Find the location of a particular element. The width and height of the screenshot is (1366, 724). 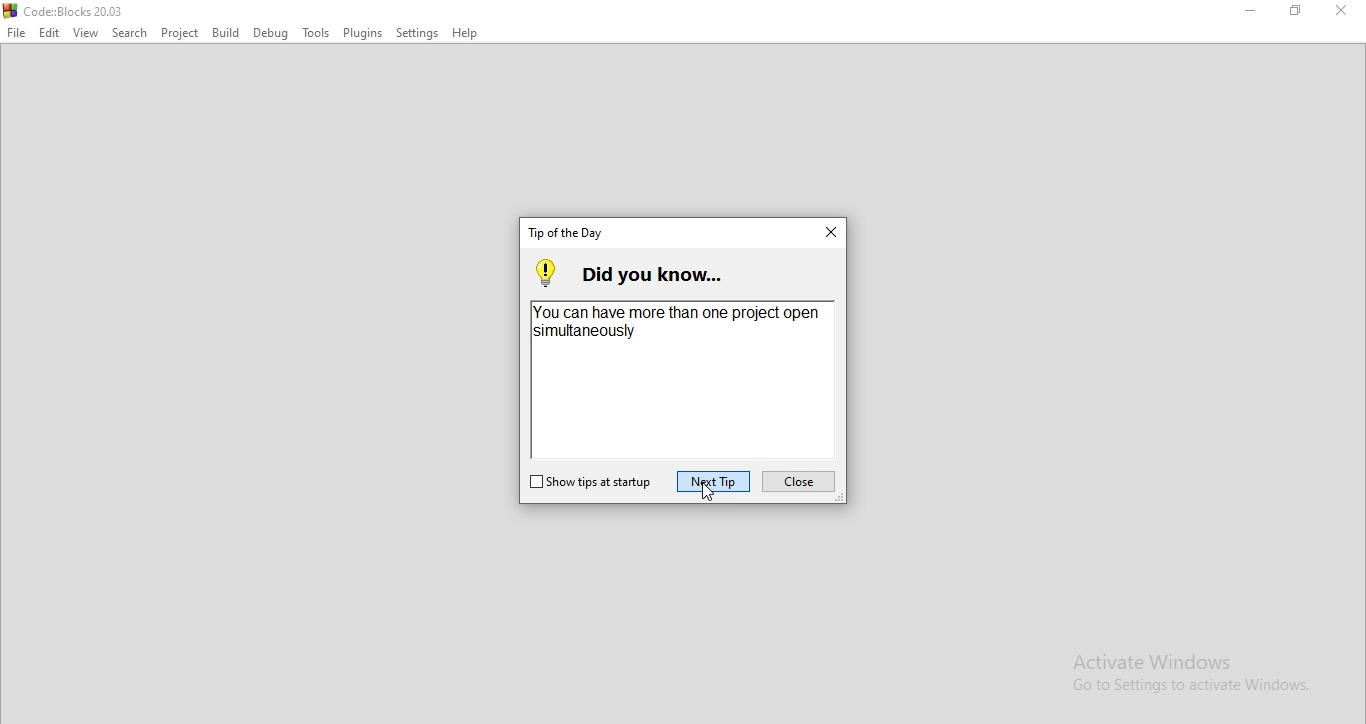

Activate Windows is located at coordinates (1189, 675).